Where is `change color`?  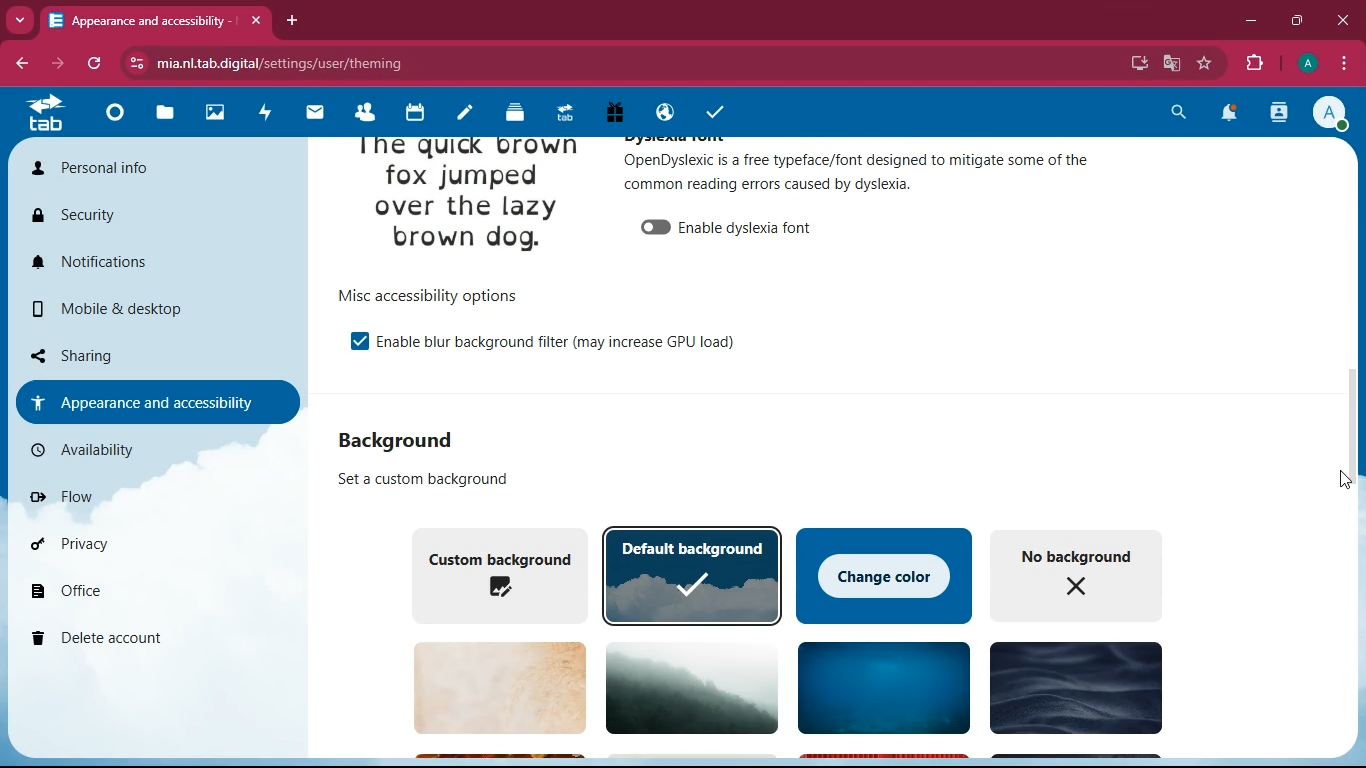
change color is located at coordinates (885, 573).